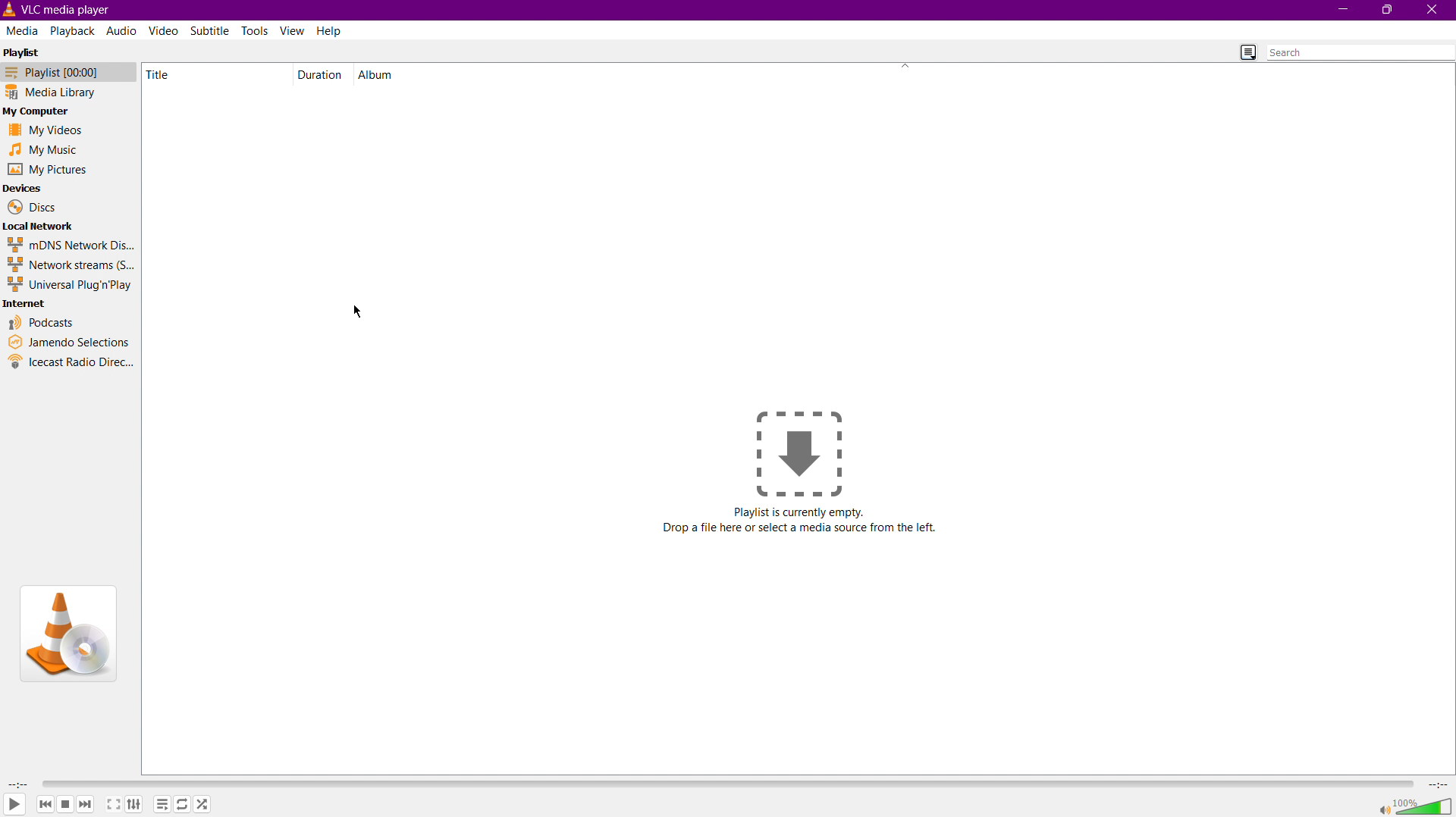 The image size is (1456, 817). What do you see at coordinates (67, 634) in the screenshot?
I see `VLC Logo` at bounding box center [67, 634].